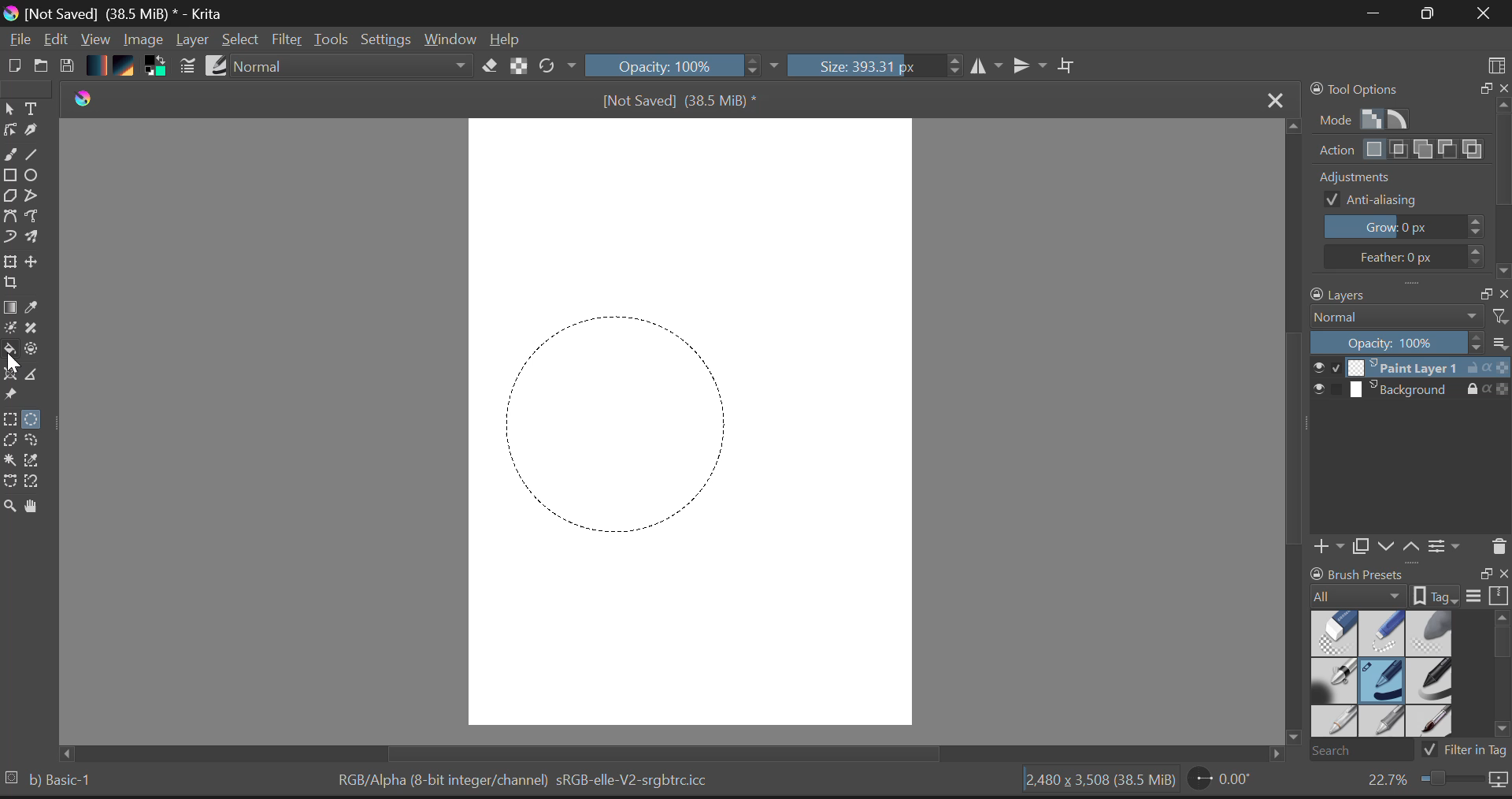 The width and height of the screenshot is (1512, 799). Describe the element at coordinates (1271, 98) in the screenshot. I see `Close` at that location.